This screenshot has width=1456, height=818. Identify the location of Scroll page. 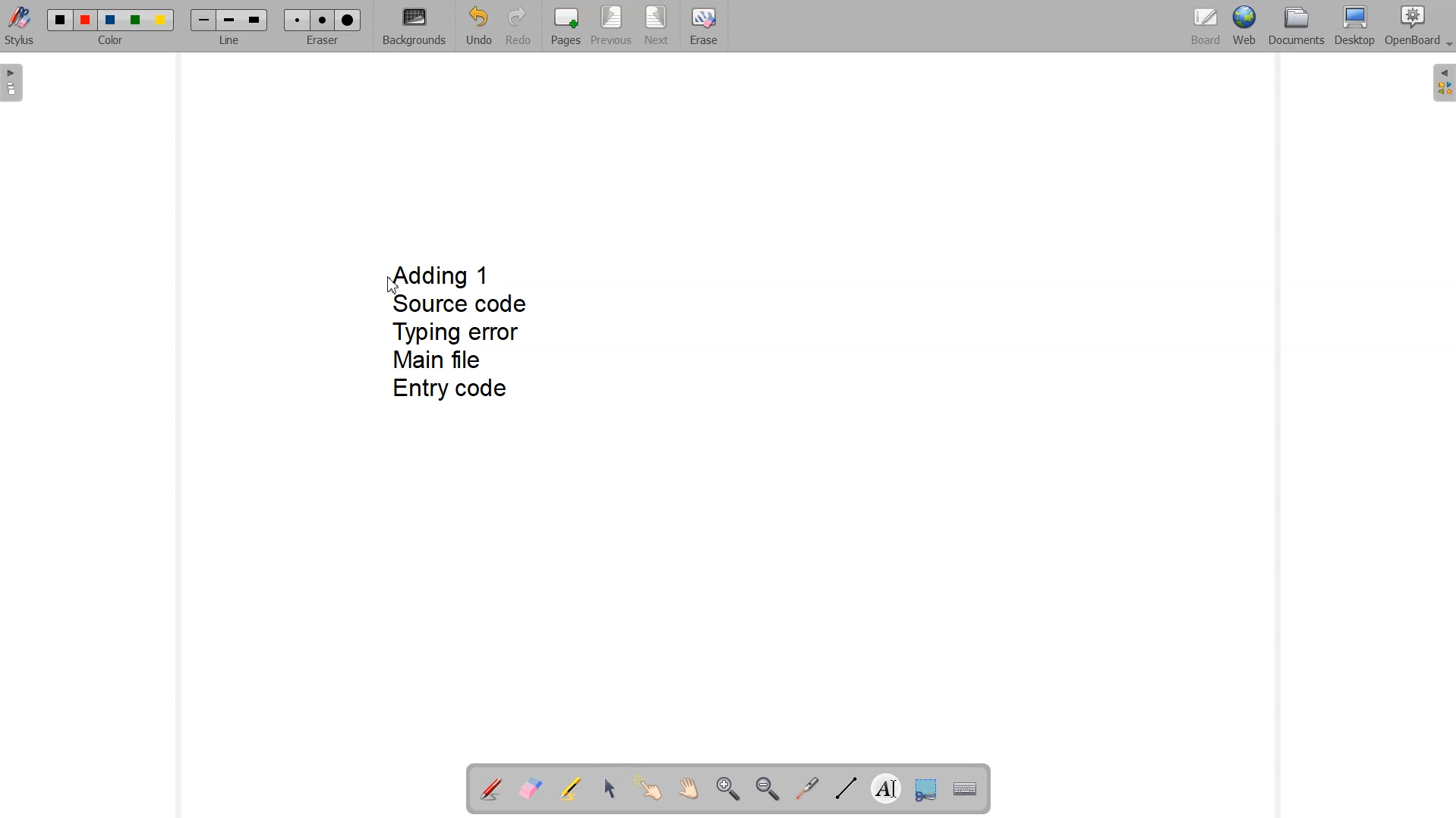
(689, 790).